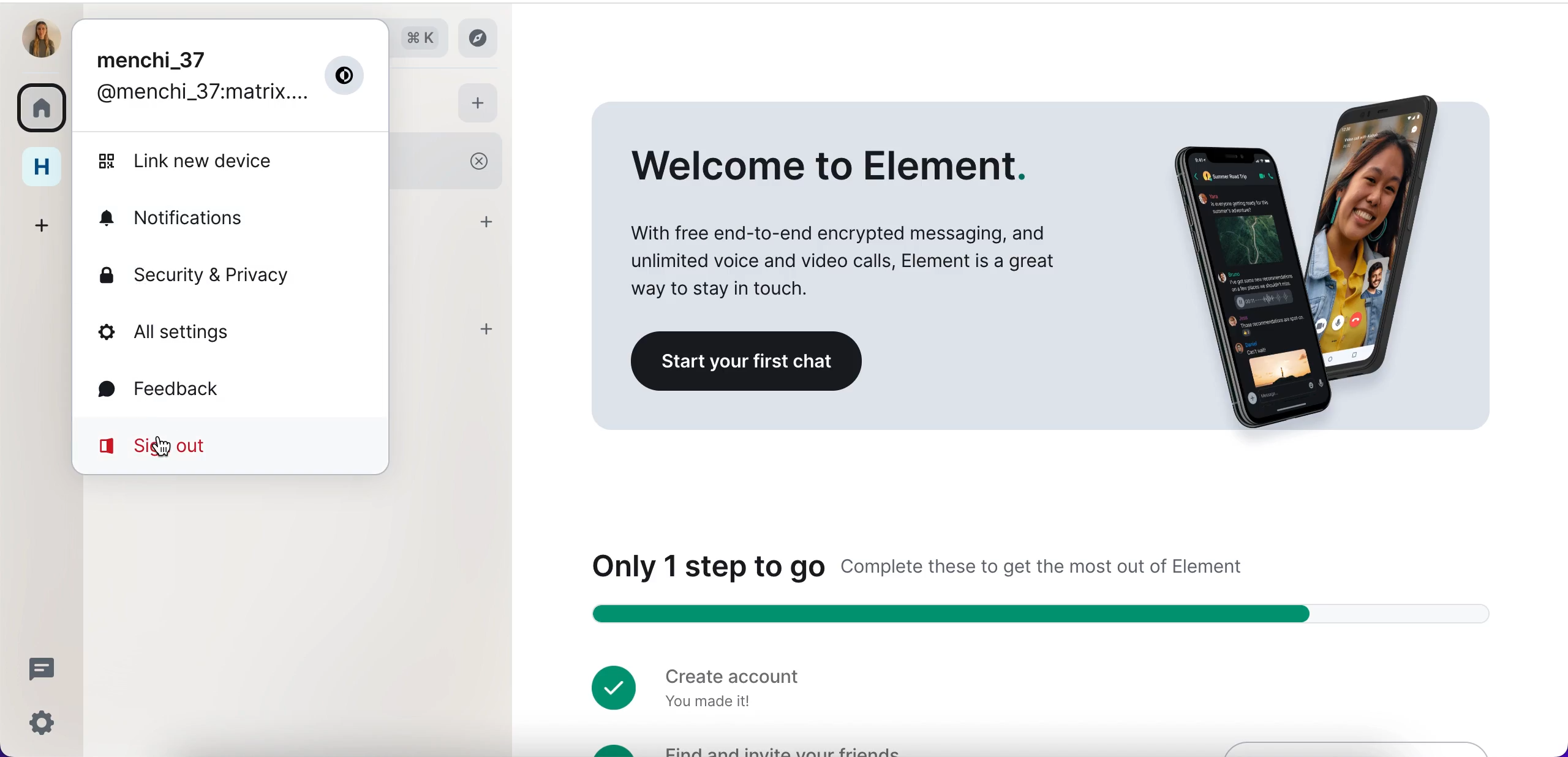 The image size is (1568, 757). I want to click on rooms, so click(45, 105).